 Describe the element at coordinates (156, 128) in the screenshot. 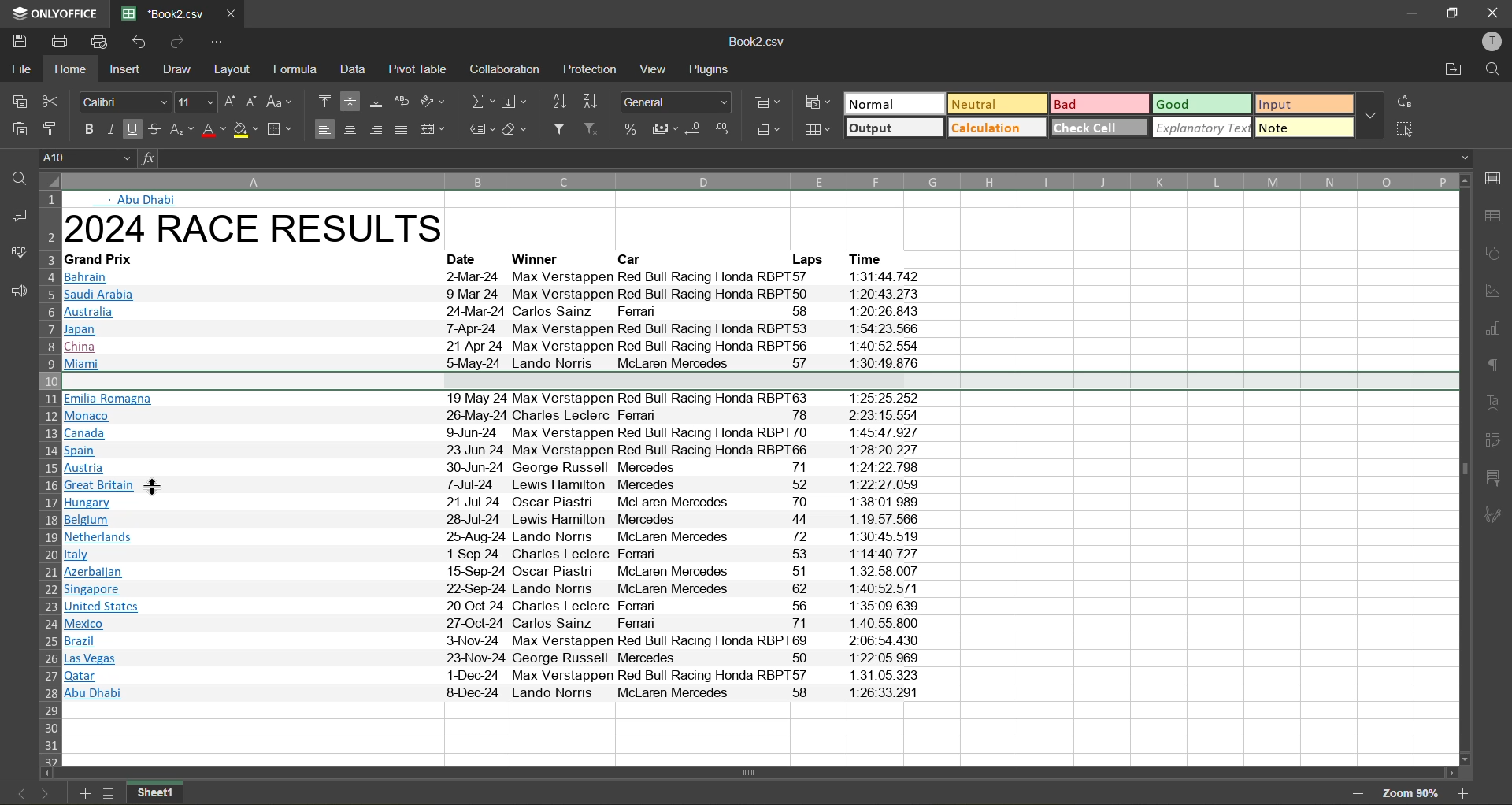

I see `strikethrough` at that location.